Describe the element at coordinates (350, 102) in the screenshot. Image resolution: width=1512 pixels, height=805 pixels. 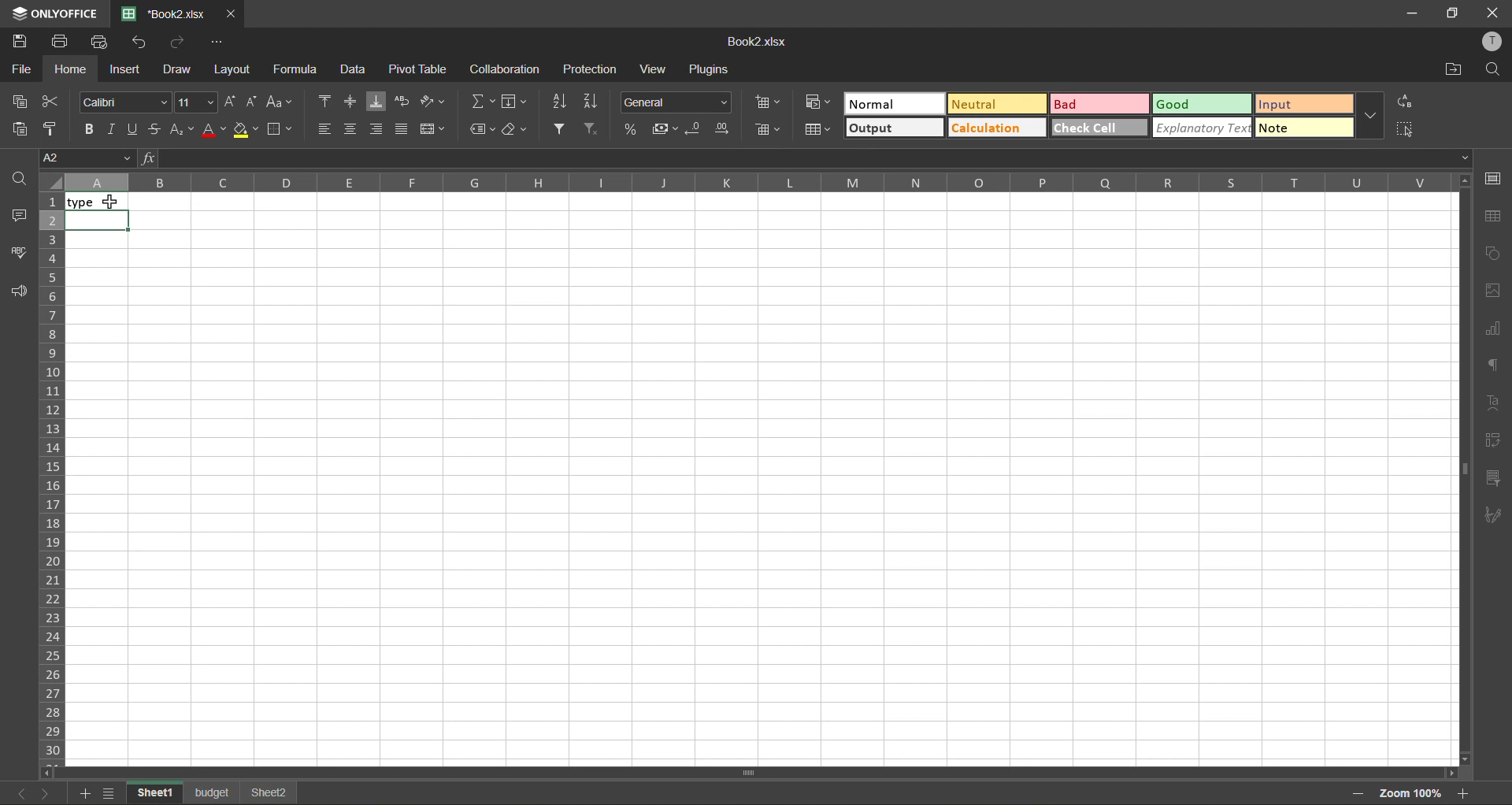
I see `align middle` at that location.